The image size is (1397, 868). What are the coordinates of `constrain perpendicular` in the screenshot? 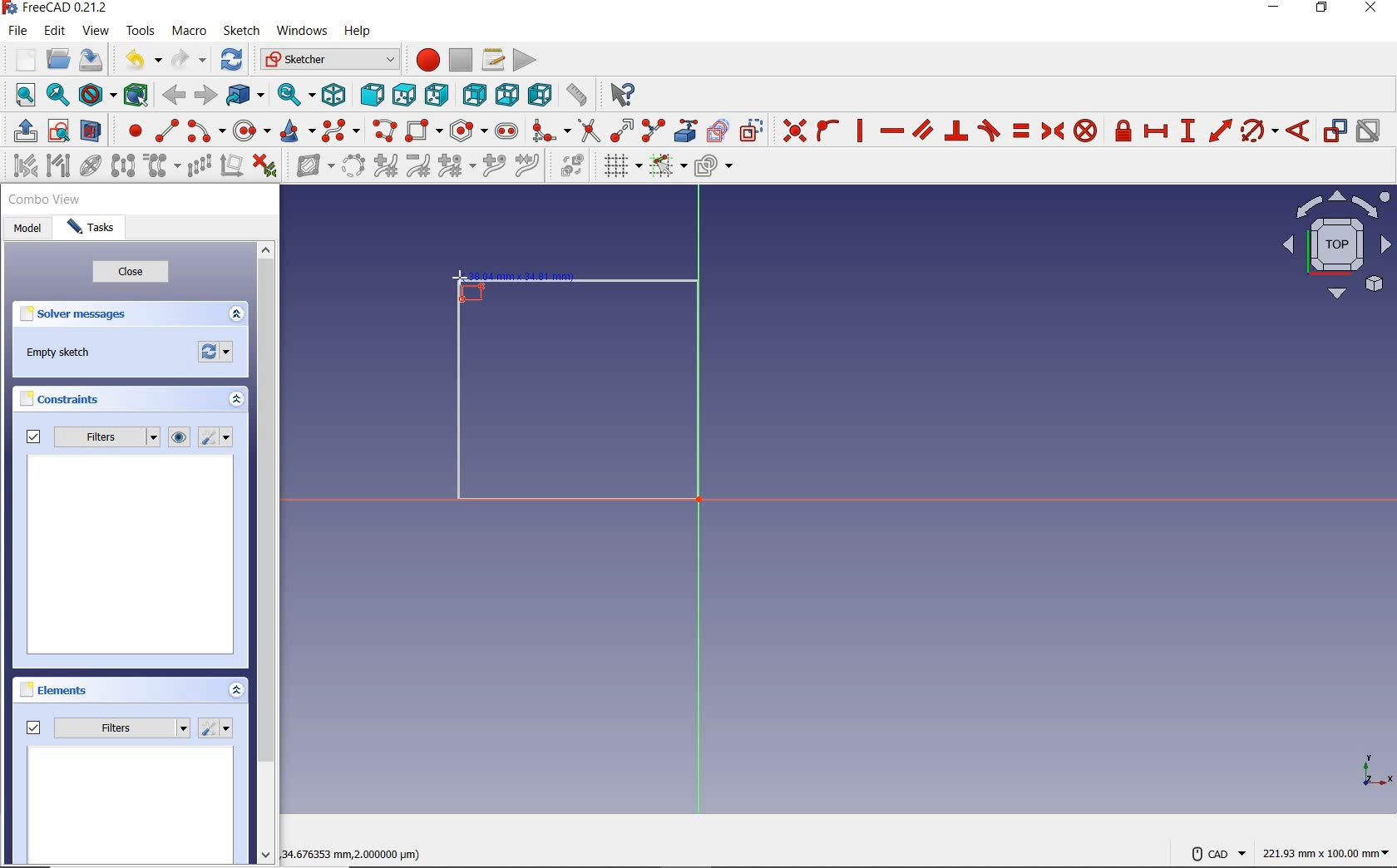 It's located at (956, 131).